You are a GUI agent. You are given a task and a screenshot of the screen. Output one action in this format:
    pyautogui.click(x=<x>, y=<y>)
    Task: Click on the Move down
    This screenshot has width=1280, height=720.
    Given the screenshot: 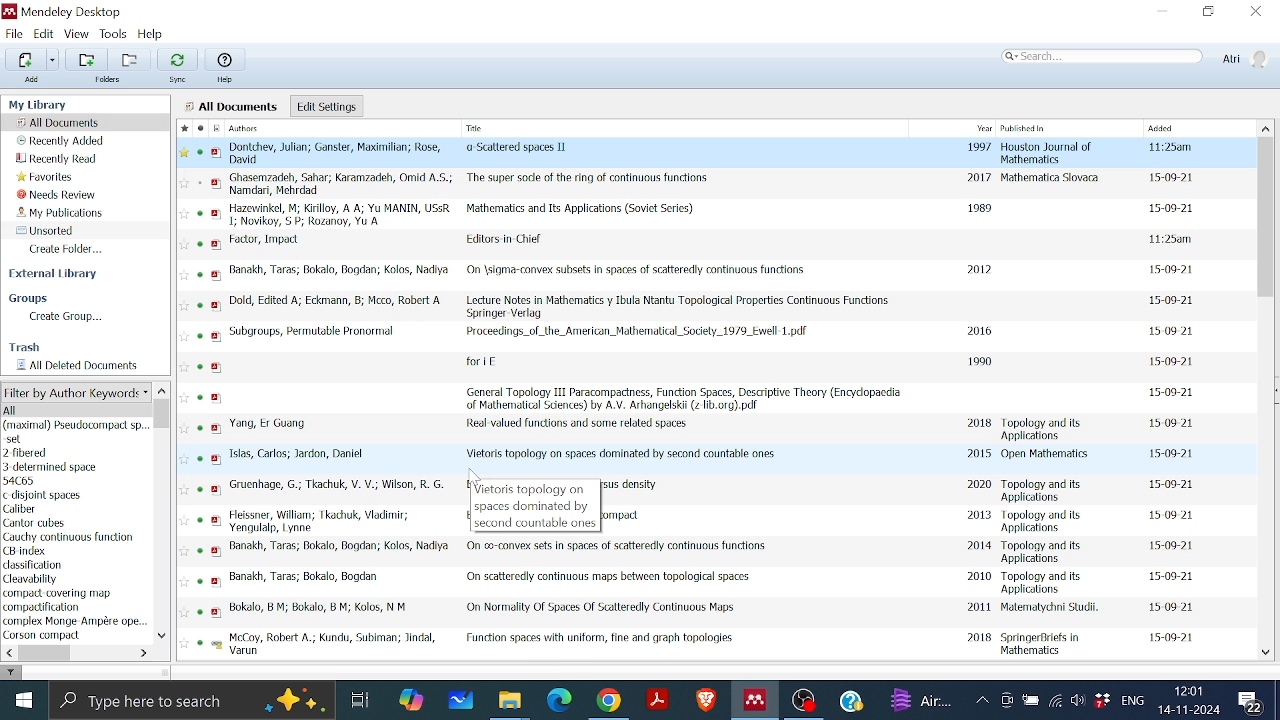 What is the action you would take?
    pyautogui.click(x=1267, y=653)
    